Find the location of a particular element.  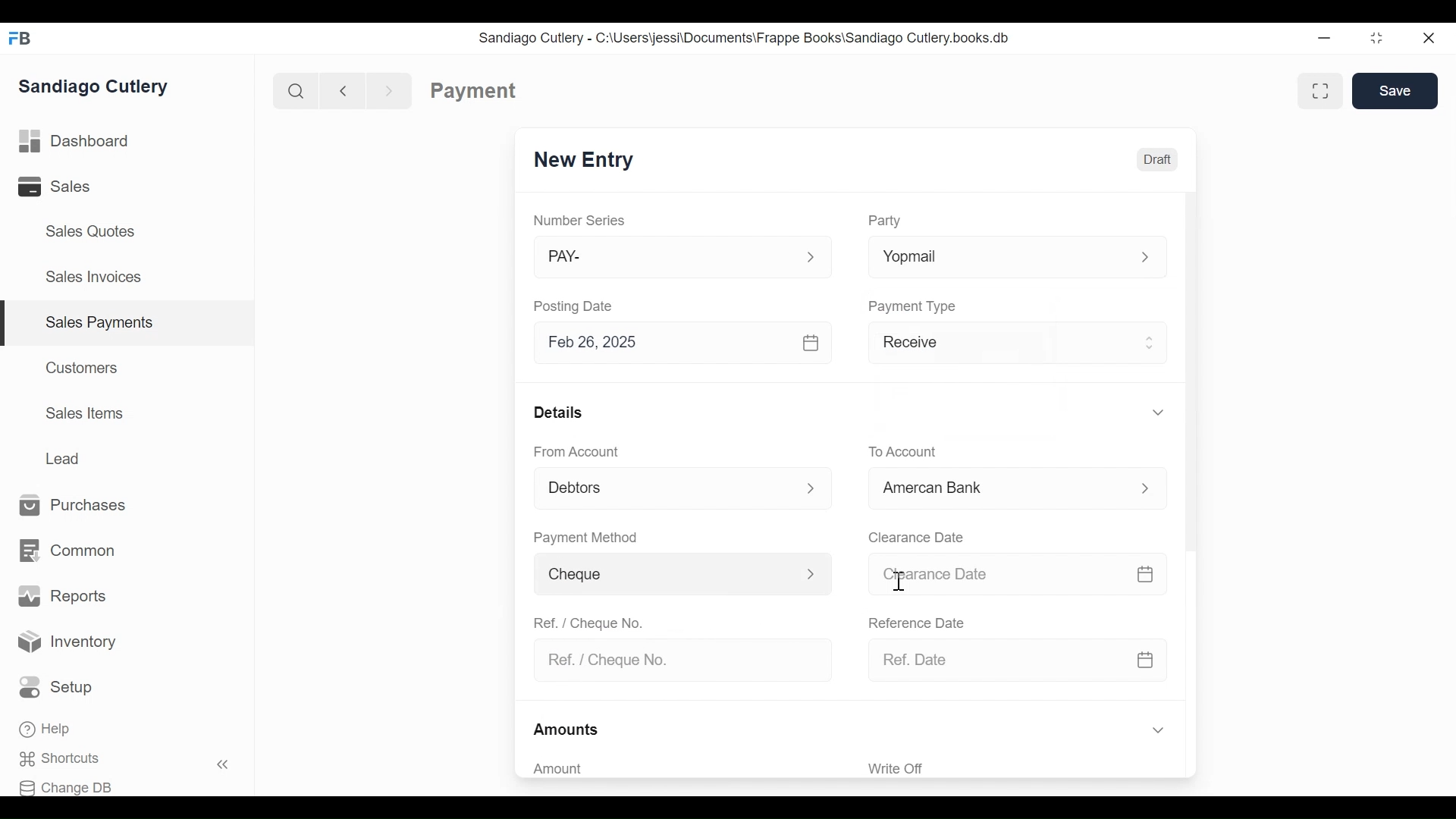

Search is located at coordinates (293, 90).